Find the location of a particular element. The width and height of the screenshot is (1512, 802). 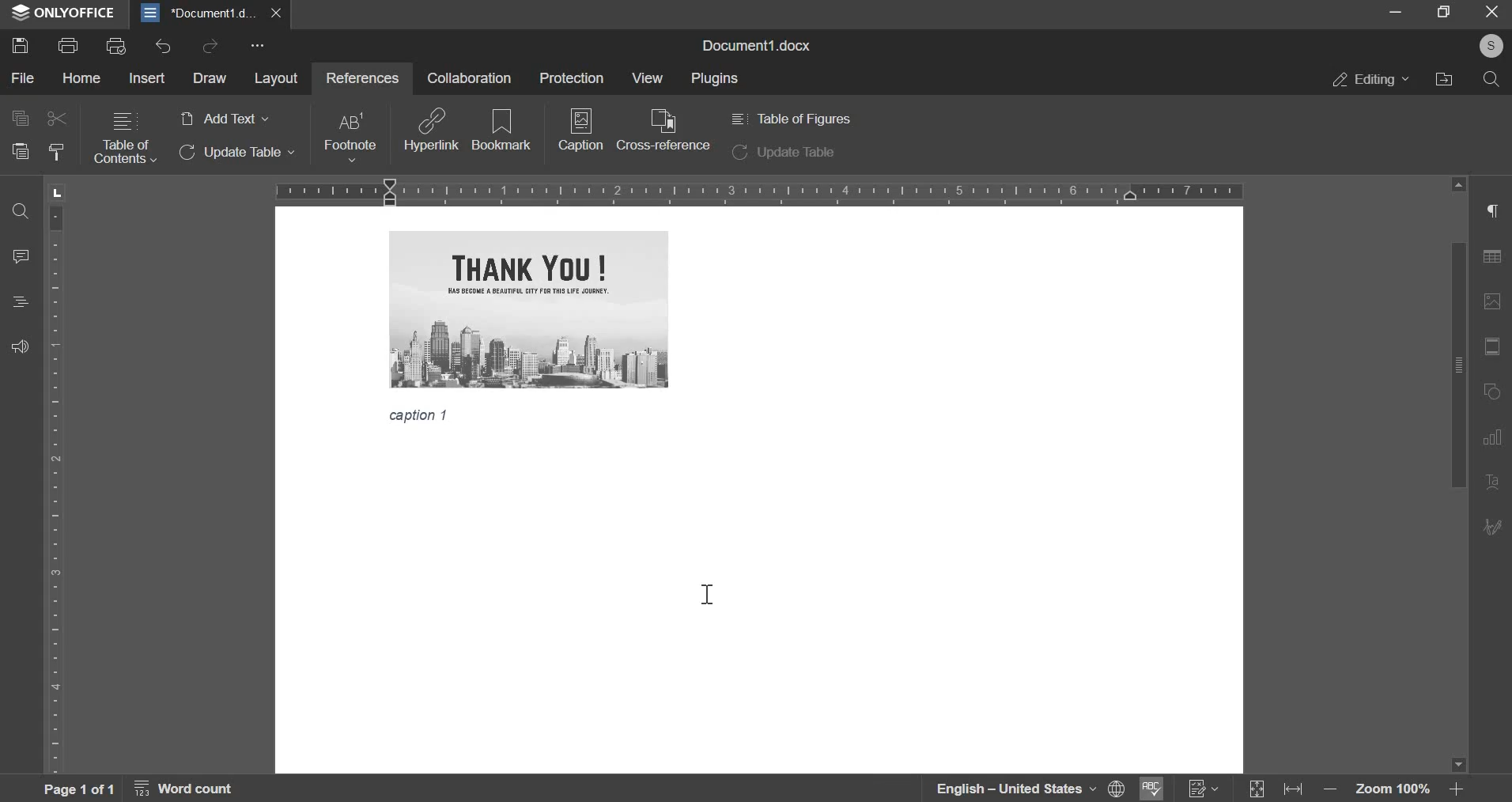

hyperlink is located at coordinates (432, 129).